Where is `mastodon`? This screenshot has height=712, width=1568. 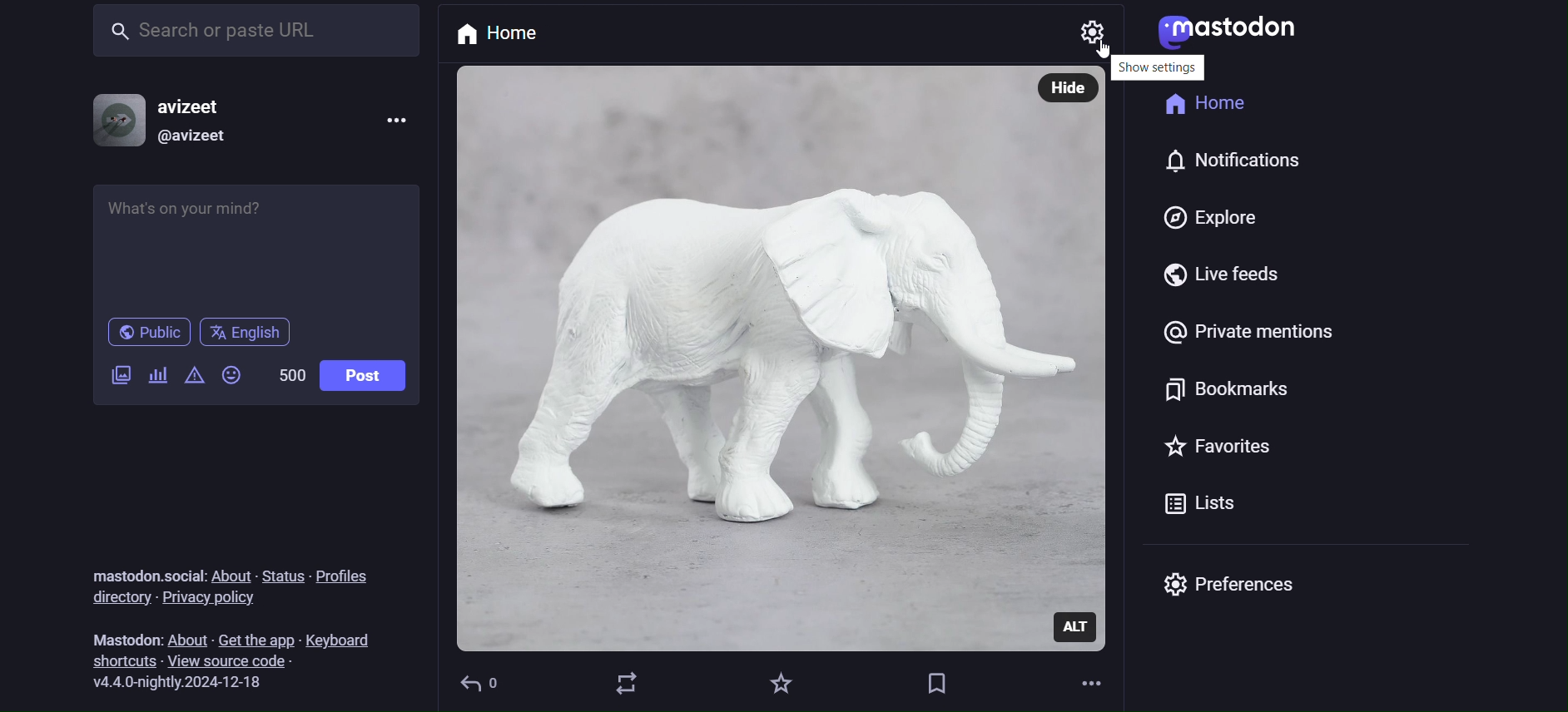
mastodon is located at coordinates (1229, 33).